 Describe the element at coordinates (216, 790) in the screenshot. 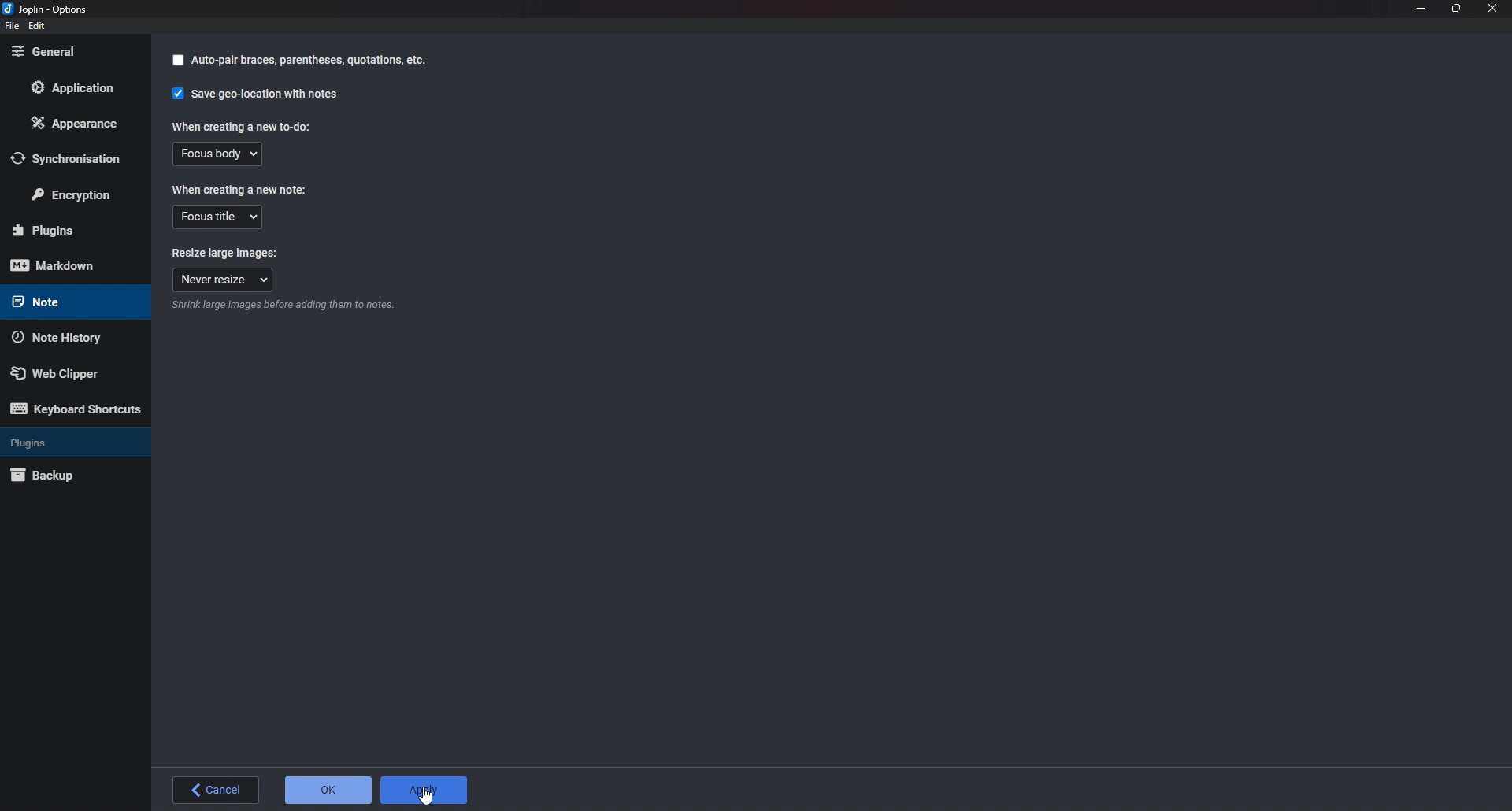

I see `Back` at that location.